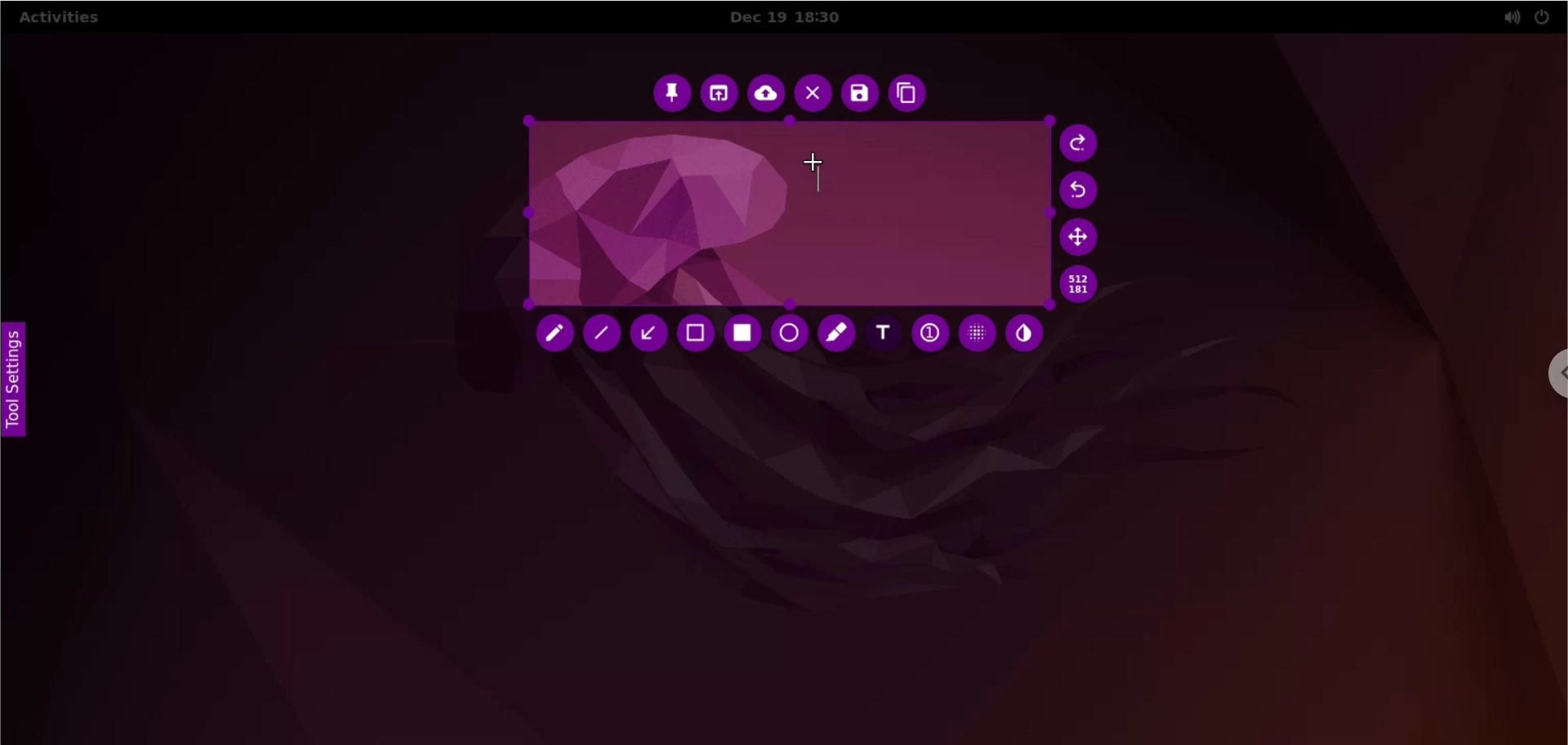 The height and width of the screenshot is (745, 1568). I want to click on pixelette, so click(977, 329).